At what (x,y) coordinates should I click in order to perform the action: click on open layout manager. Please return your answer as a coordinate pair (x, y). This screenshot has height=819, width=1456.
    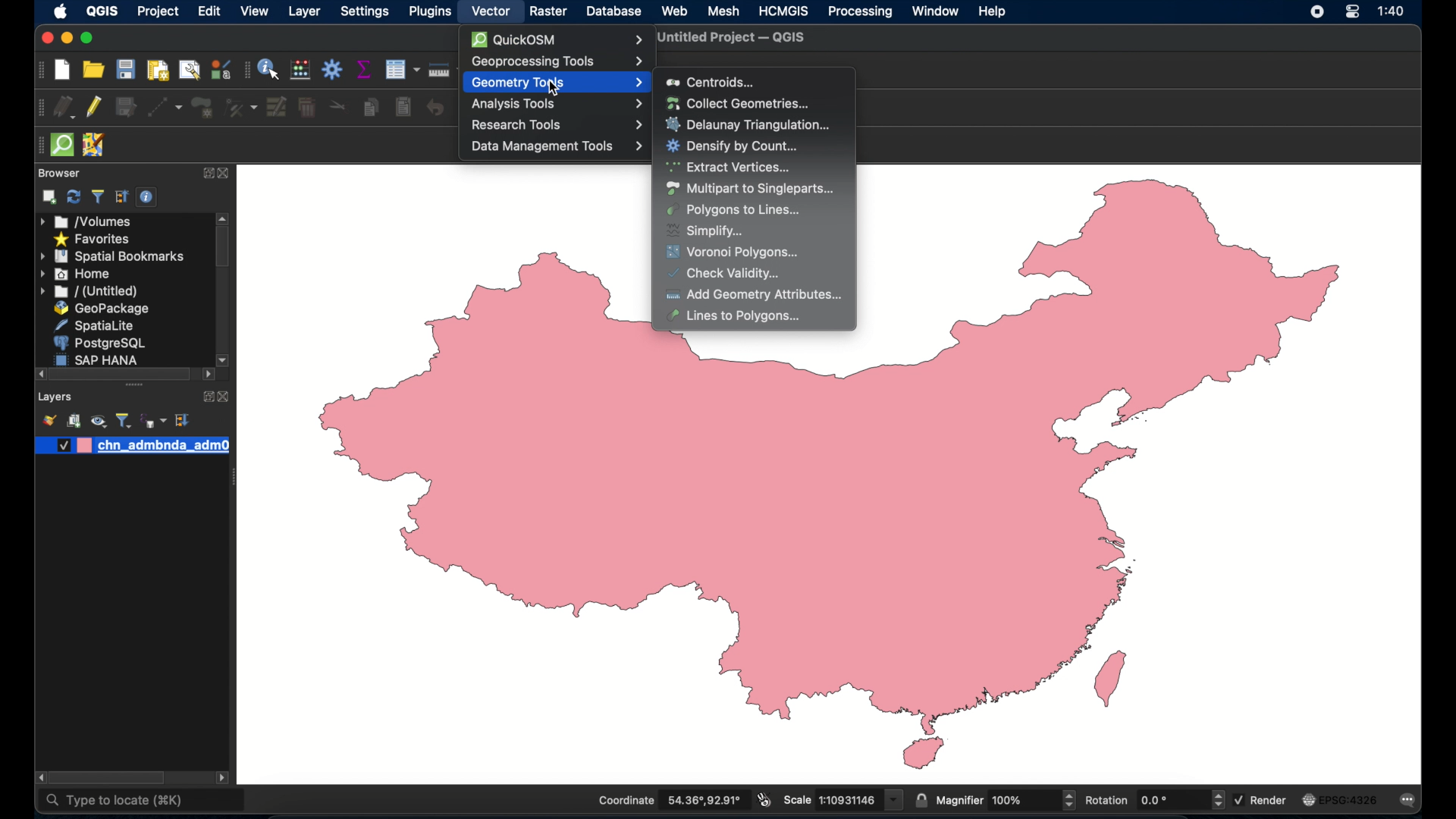
    Looking at the image, I should click on (190, 70).